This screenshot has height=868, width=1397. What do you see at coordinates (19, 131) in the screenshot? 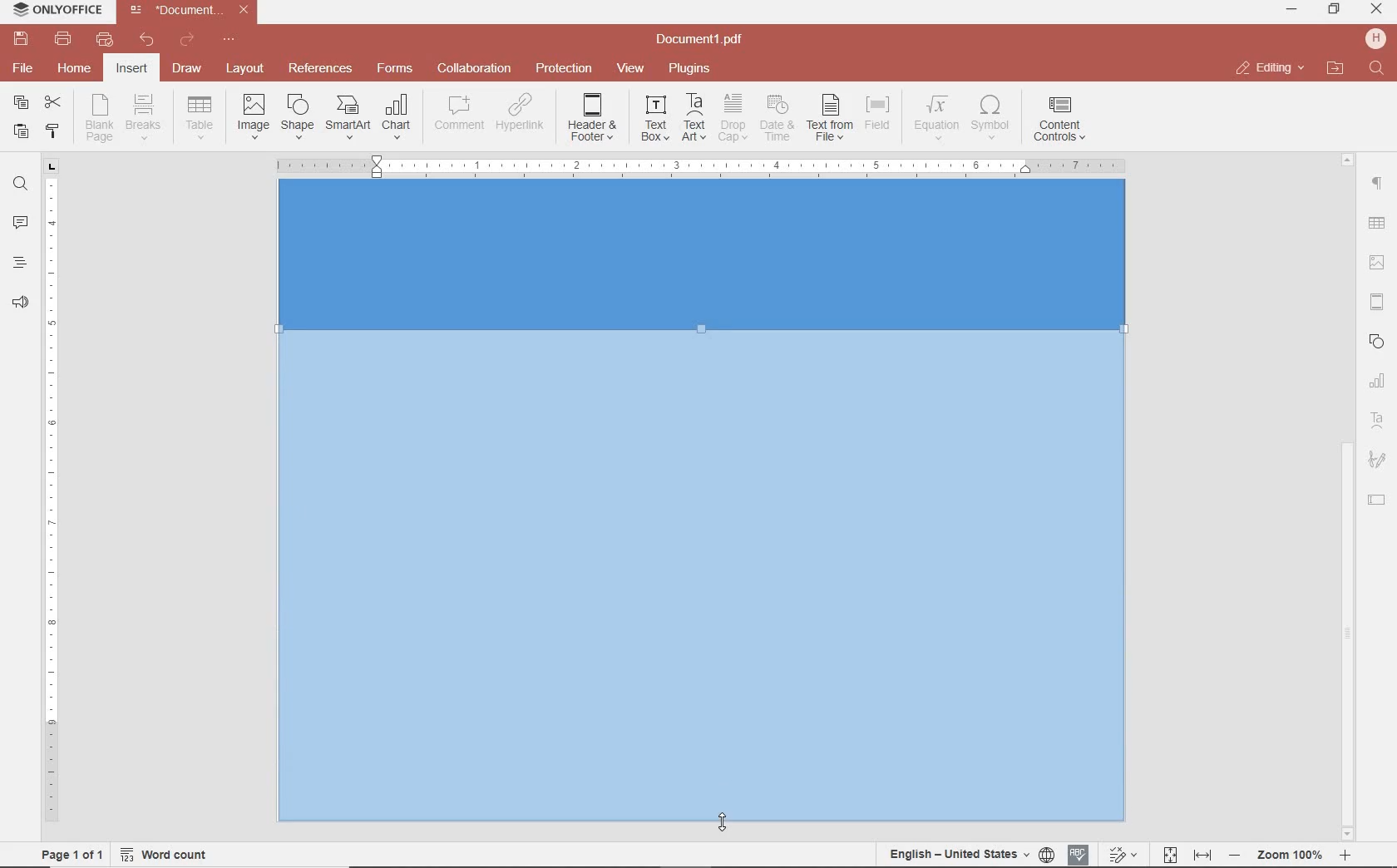
I see `paste` at bounding box center [19, 131].